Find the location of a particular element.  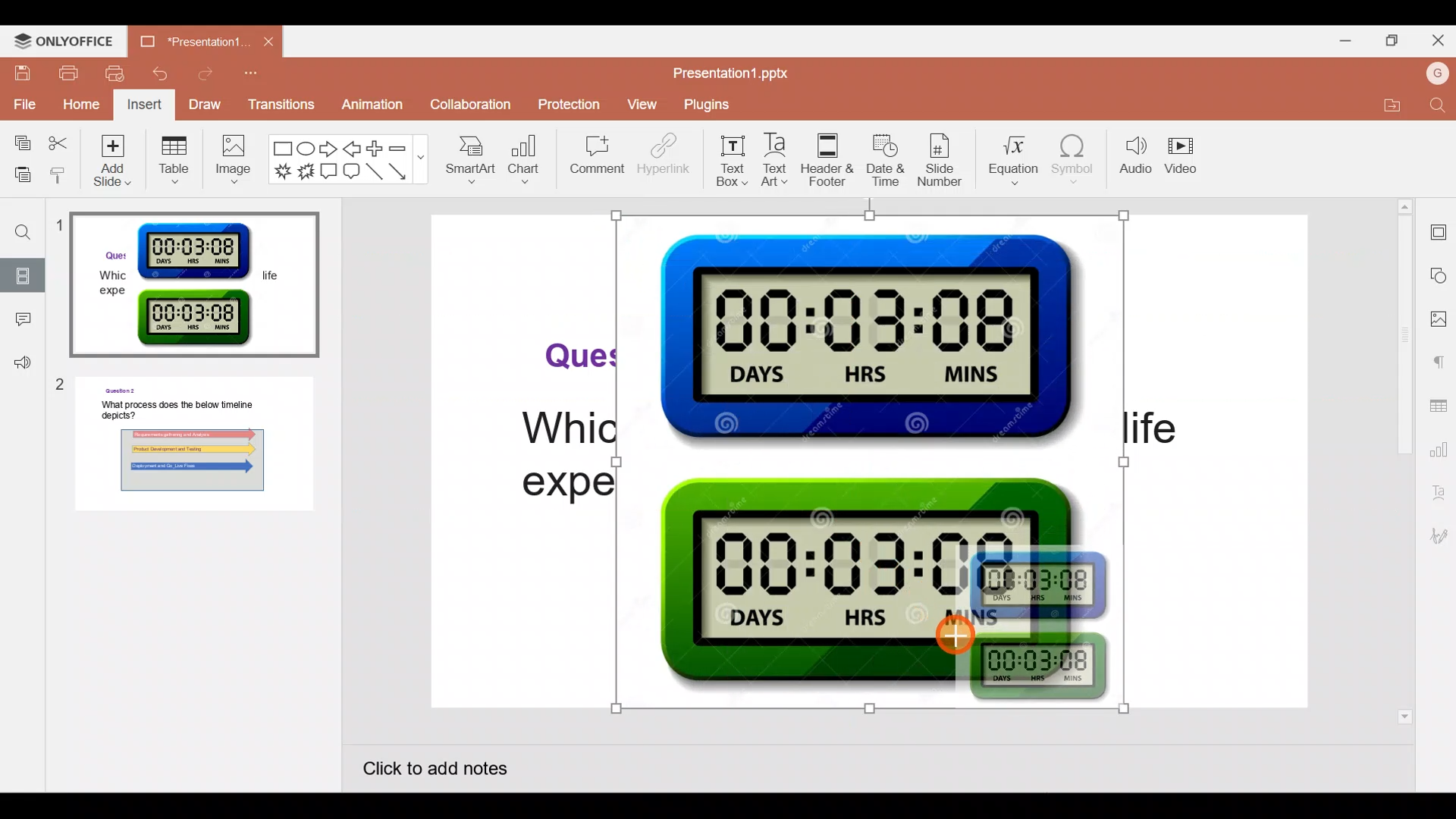

Animation is located at coordinates (365, 103).